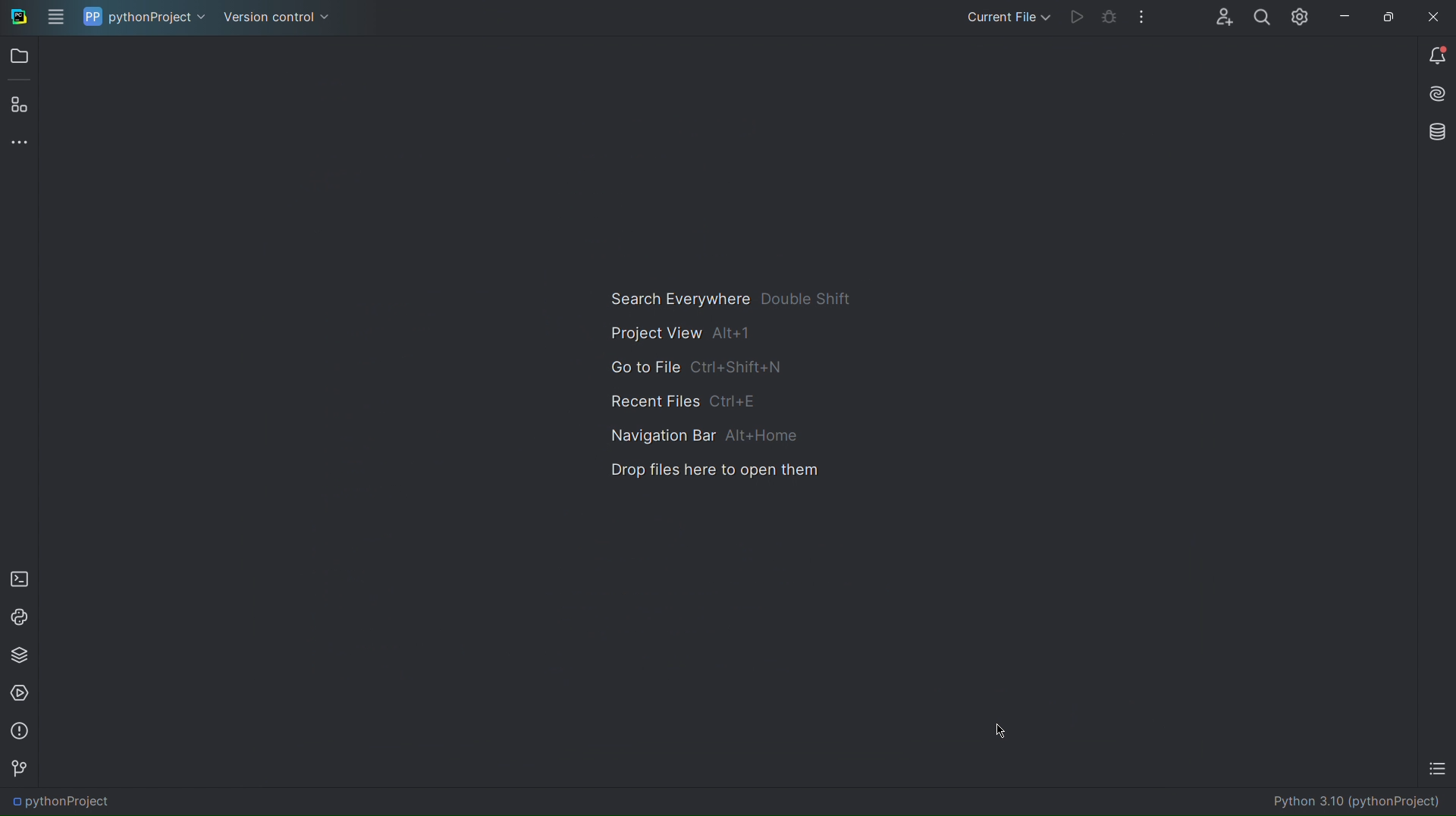  I want to click on Python Packages, so click(21, 655).